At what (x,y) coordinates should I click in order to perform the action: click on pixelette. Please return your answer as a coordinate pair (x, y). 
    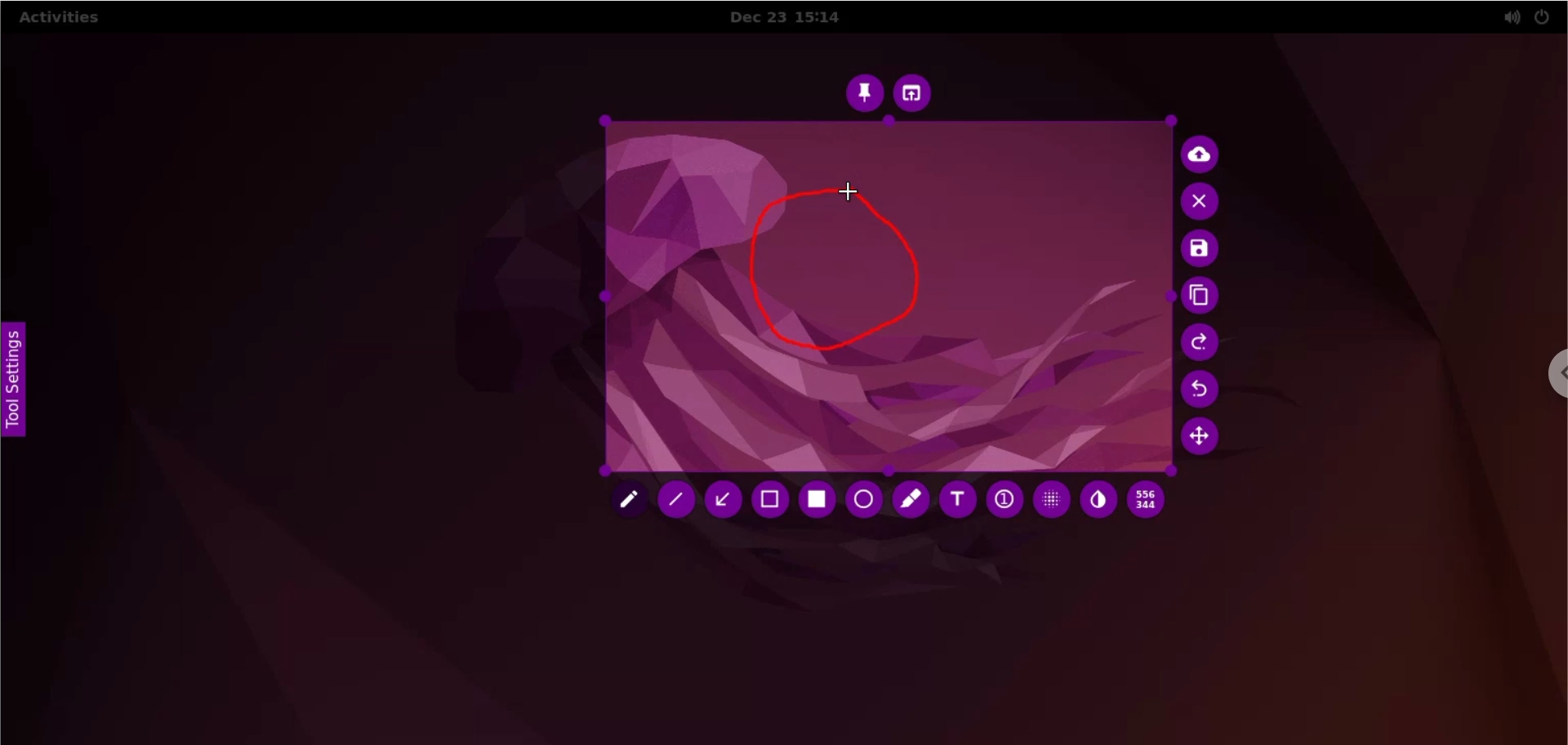
    Looking at the image, I should click on (1053, 502).